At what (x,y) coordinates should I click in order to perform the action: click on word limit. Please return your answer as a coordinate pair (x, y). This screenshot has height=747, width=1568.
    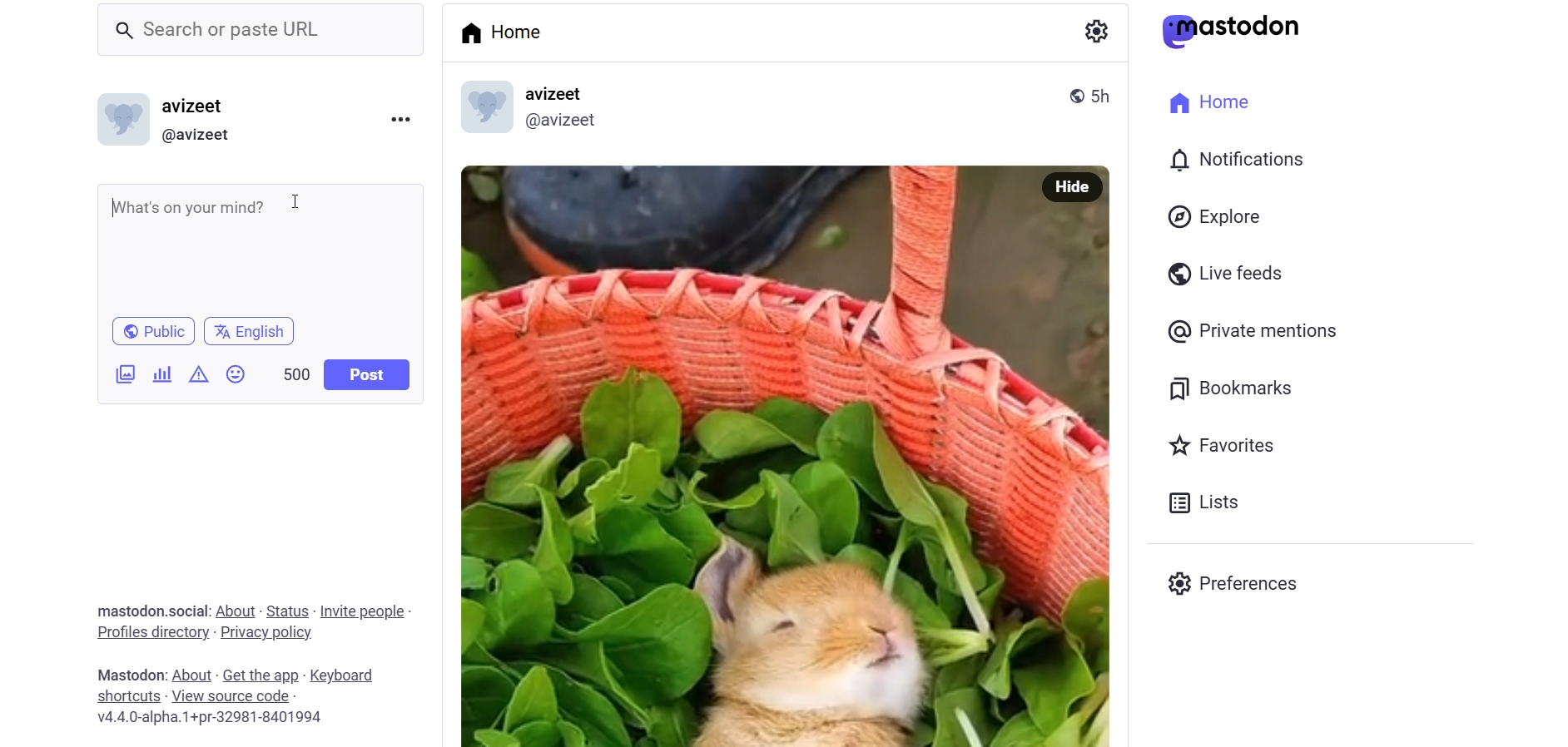
    Looking at the image, I should click on (293, 375).